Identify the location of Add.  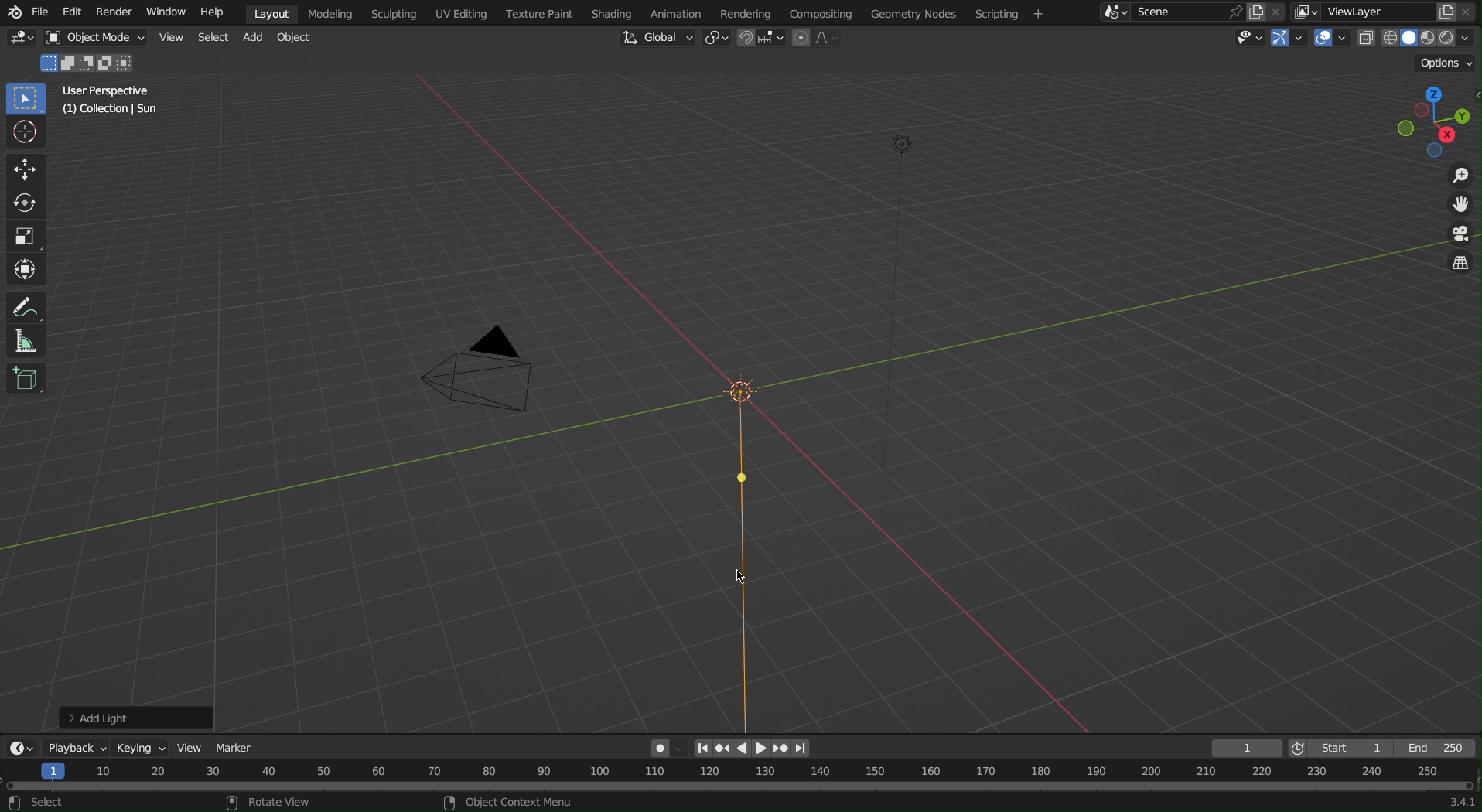
(255, 38).